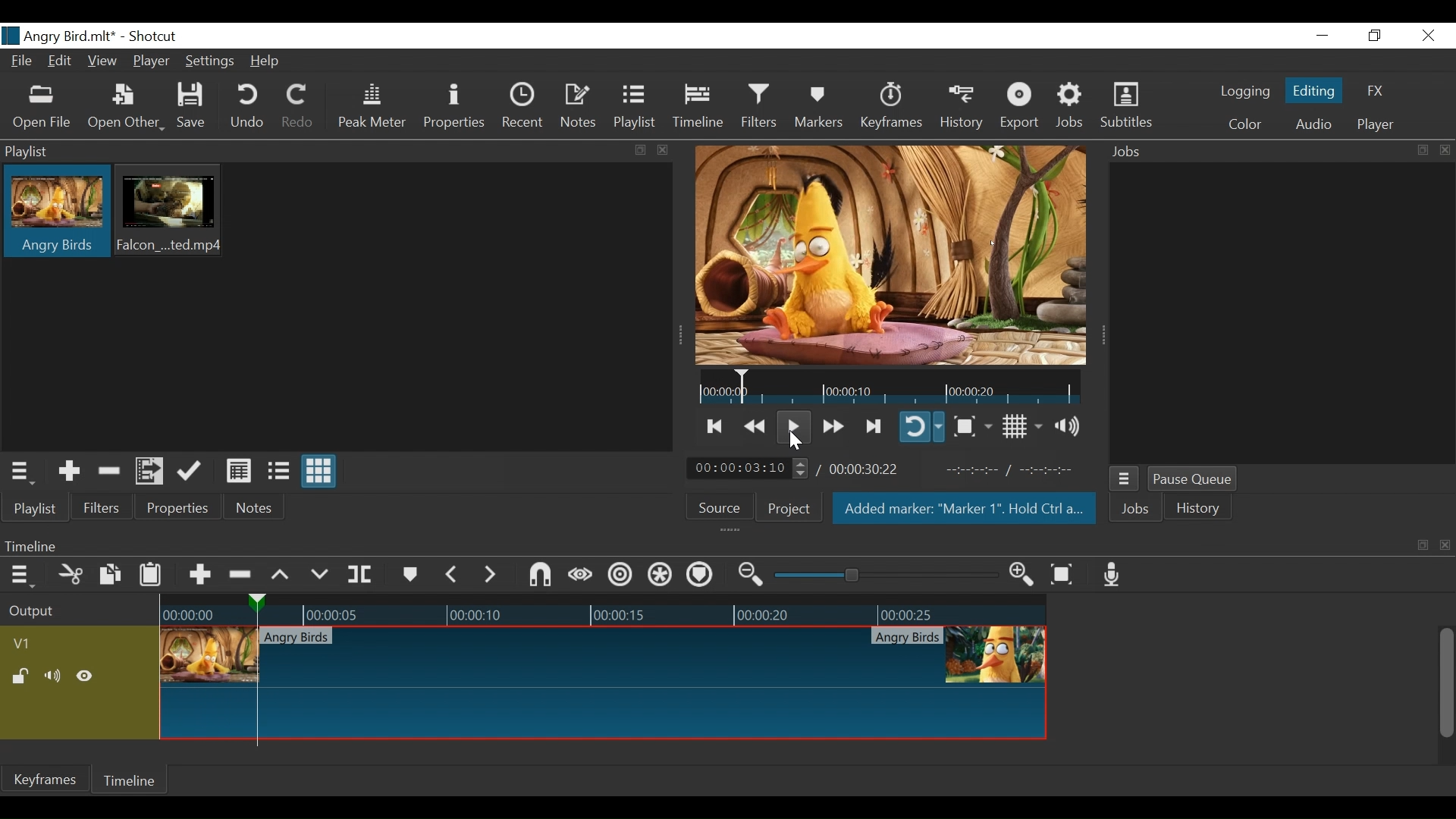 The height and width of the screenshot is (819, 1456). What do you see at coordinates (26, 472) in the screenshot?
I see `Playlist Menu` at bounding box center [26, 472].